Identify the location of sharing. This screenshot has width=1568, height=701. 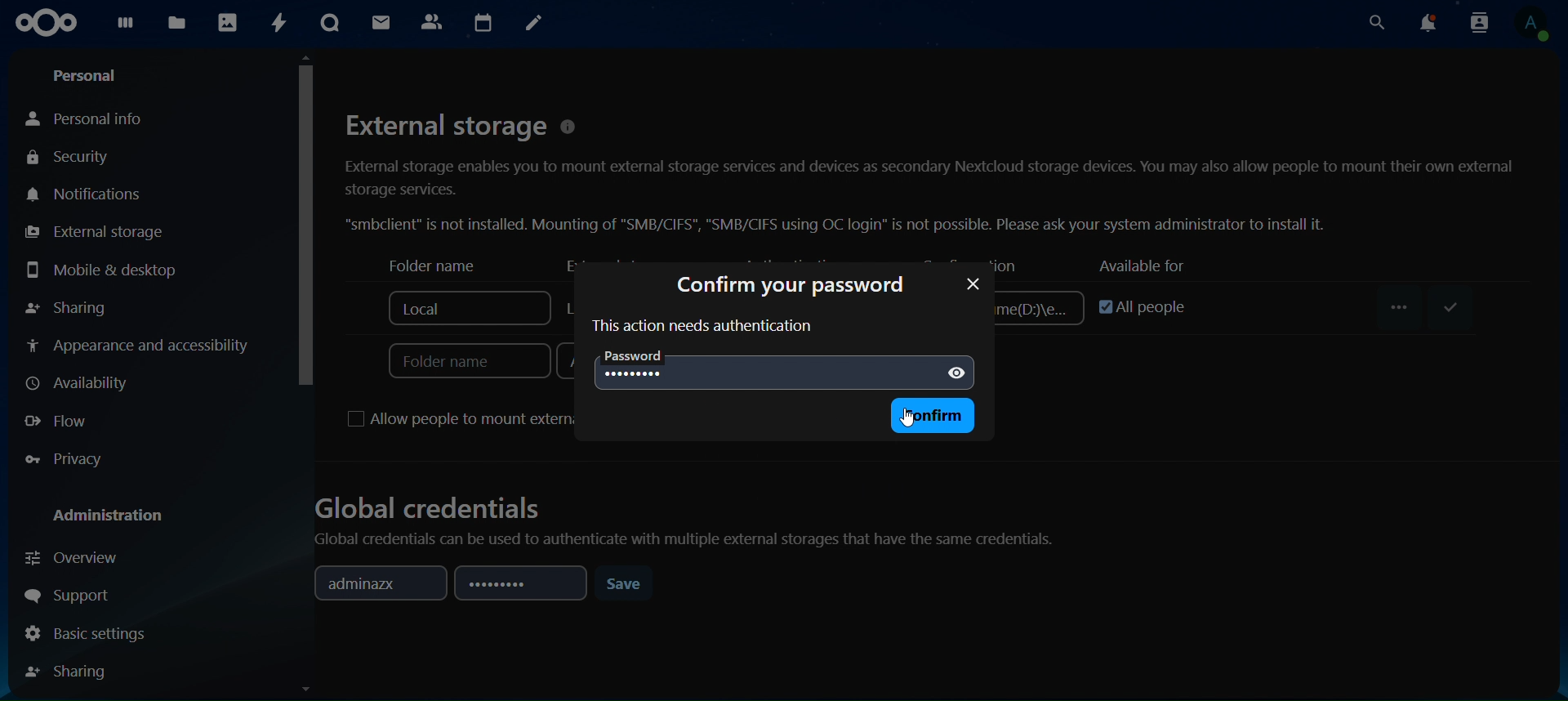
(69, 308).